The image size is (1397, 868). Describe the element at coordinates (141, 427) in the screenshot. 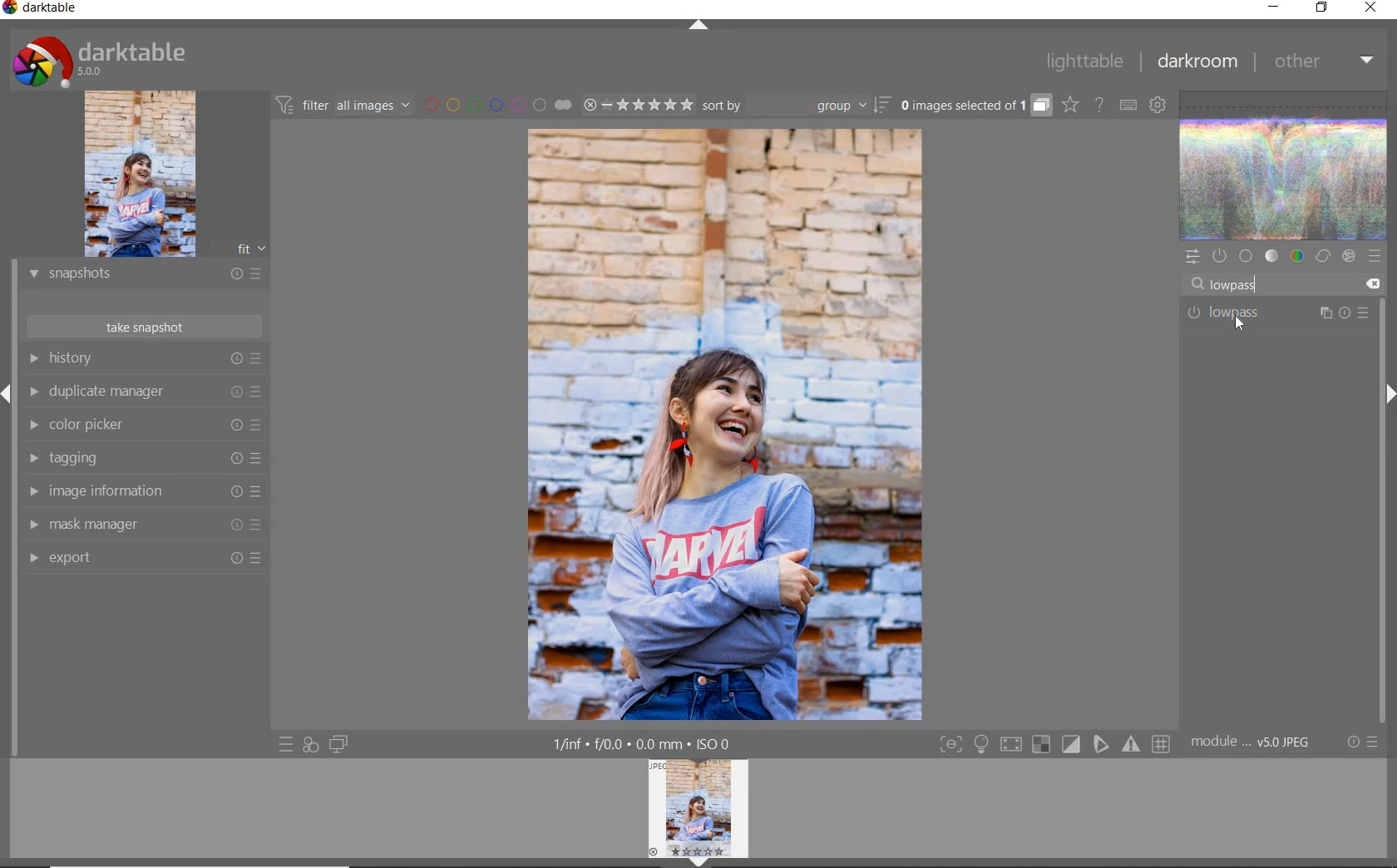

I see `color picker` at that location.